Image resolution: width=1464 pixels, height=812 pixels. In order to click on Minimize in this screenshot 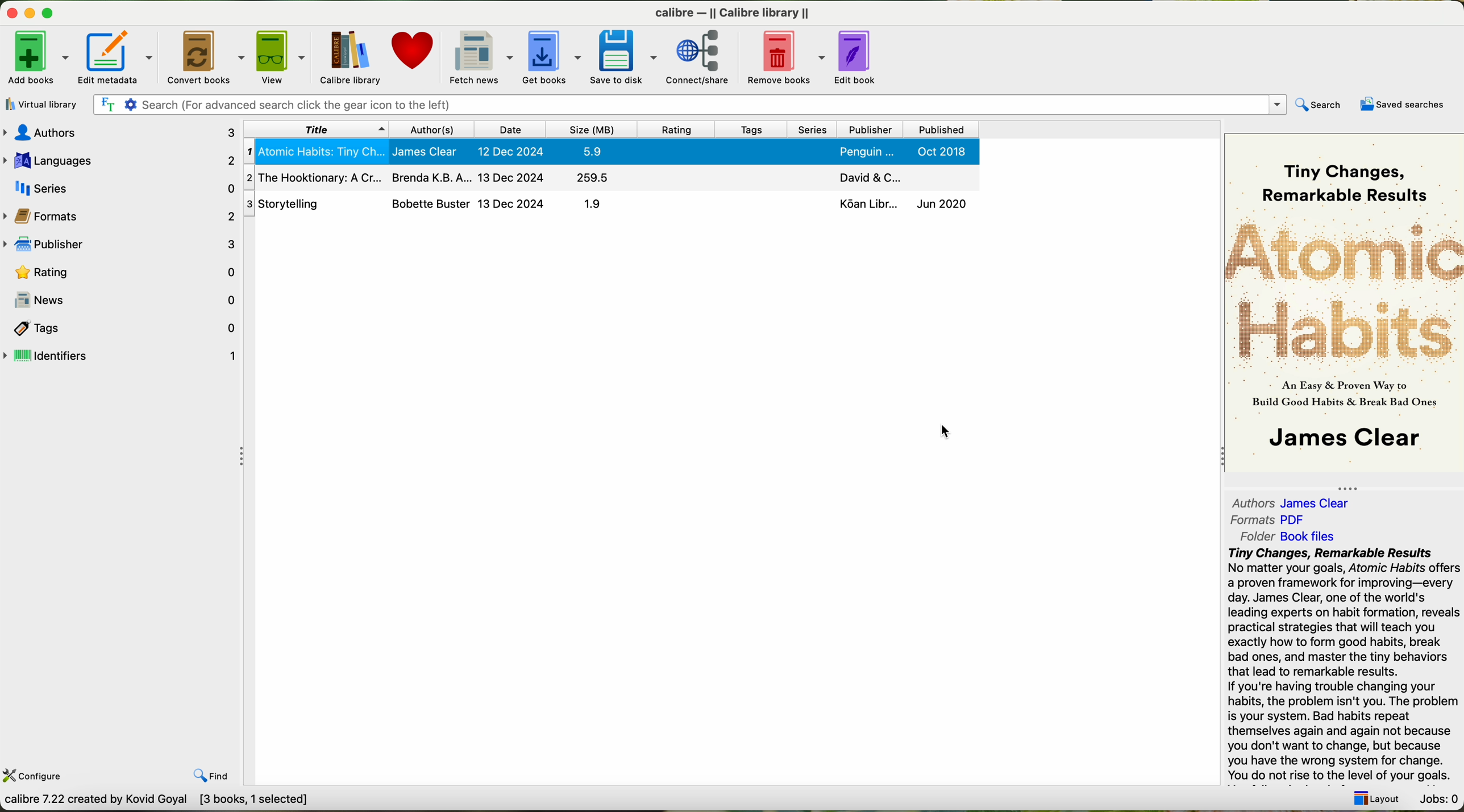, I will do `click(31, 14)`.